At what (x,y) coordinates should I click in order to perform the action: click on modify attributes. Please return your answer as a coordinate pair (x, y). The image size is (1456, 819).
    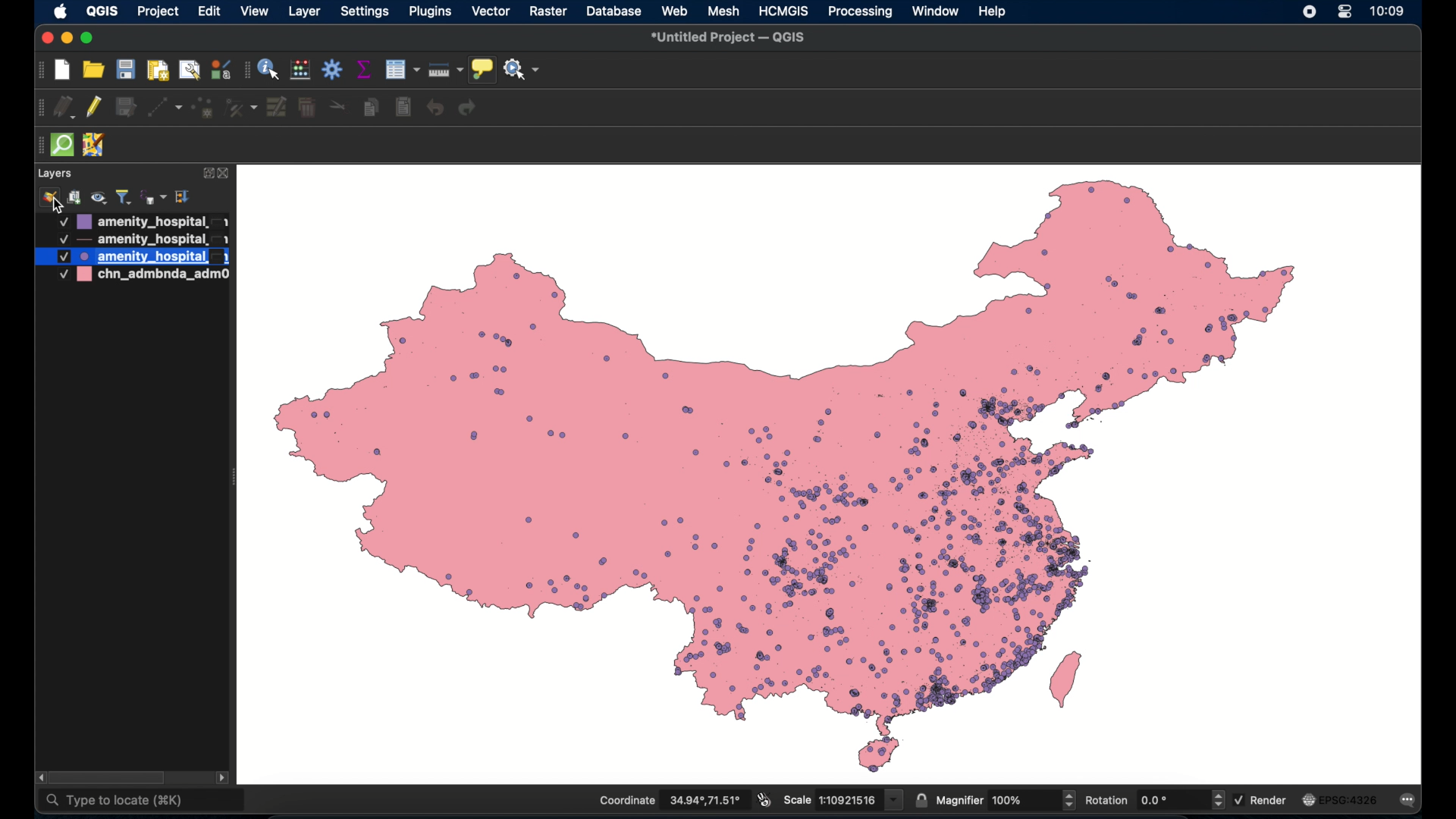
    Looking at the image, I should click on (277, 108).